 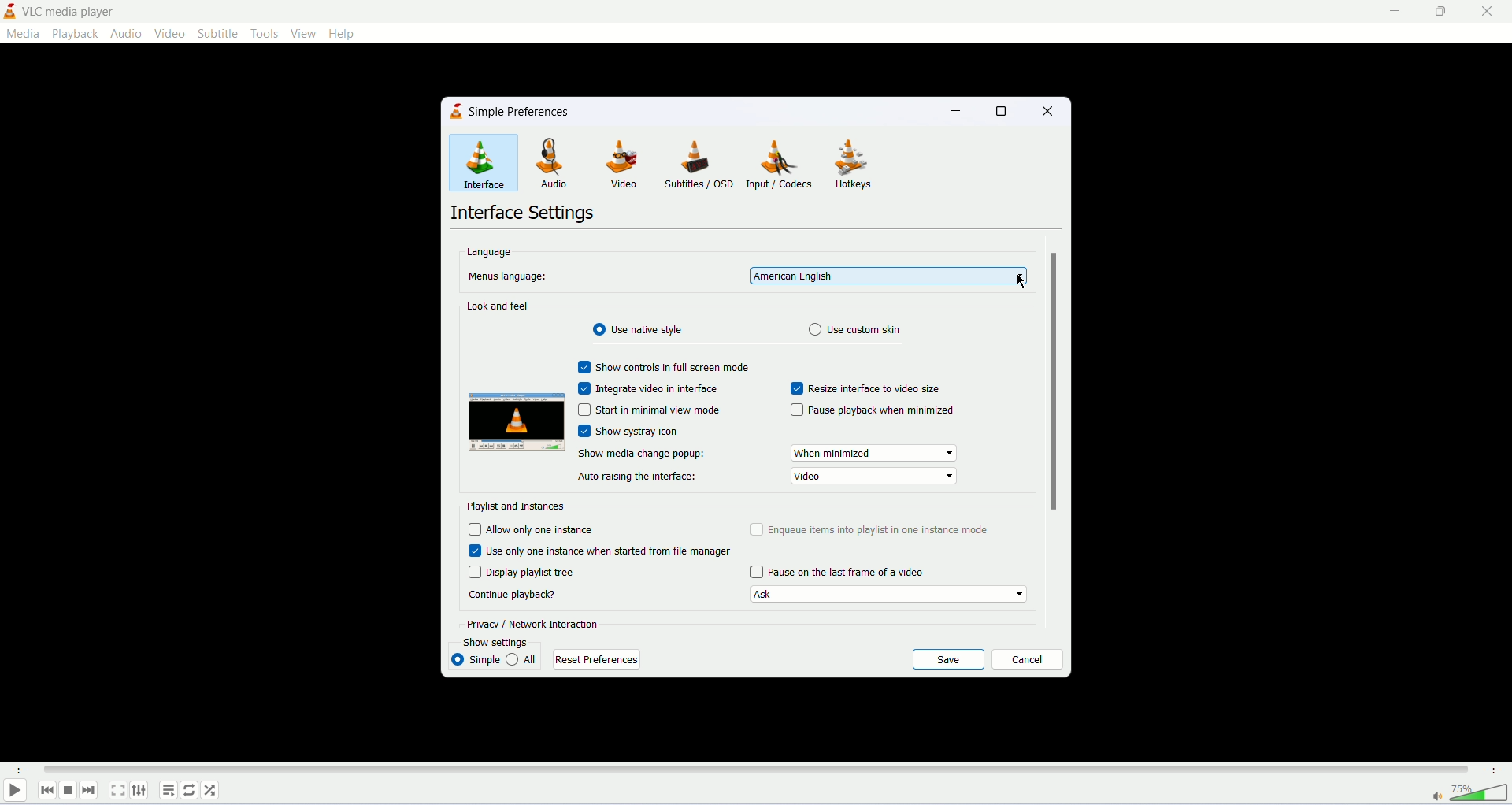 What do you see at coordinates (1043, 110) in the screenshot?
I see `close` at bounding box center [1043, 110].